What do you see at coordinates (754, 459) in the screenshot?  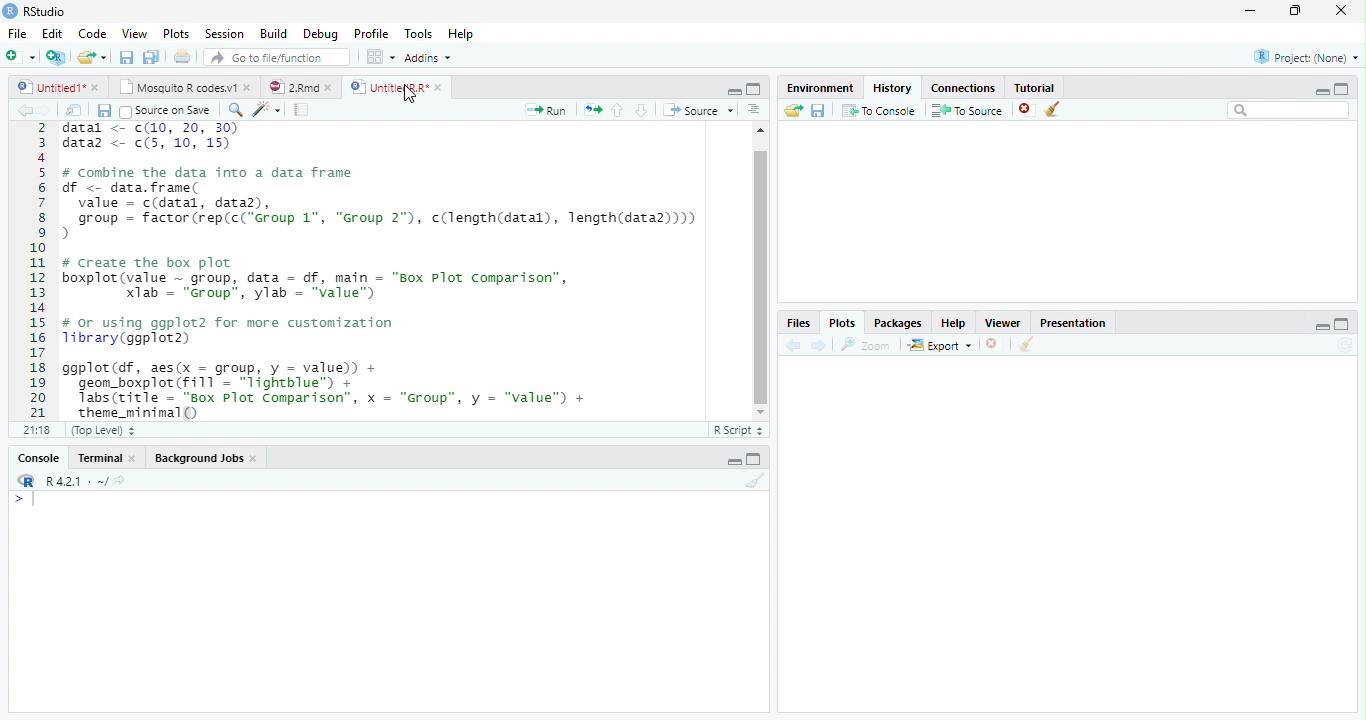 I see `Maximize` at bounding box center [754, 459].